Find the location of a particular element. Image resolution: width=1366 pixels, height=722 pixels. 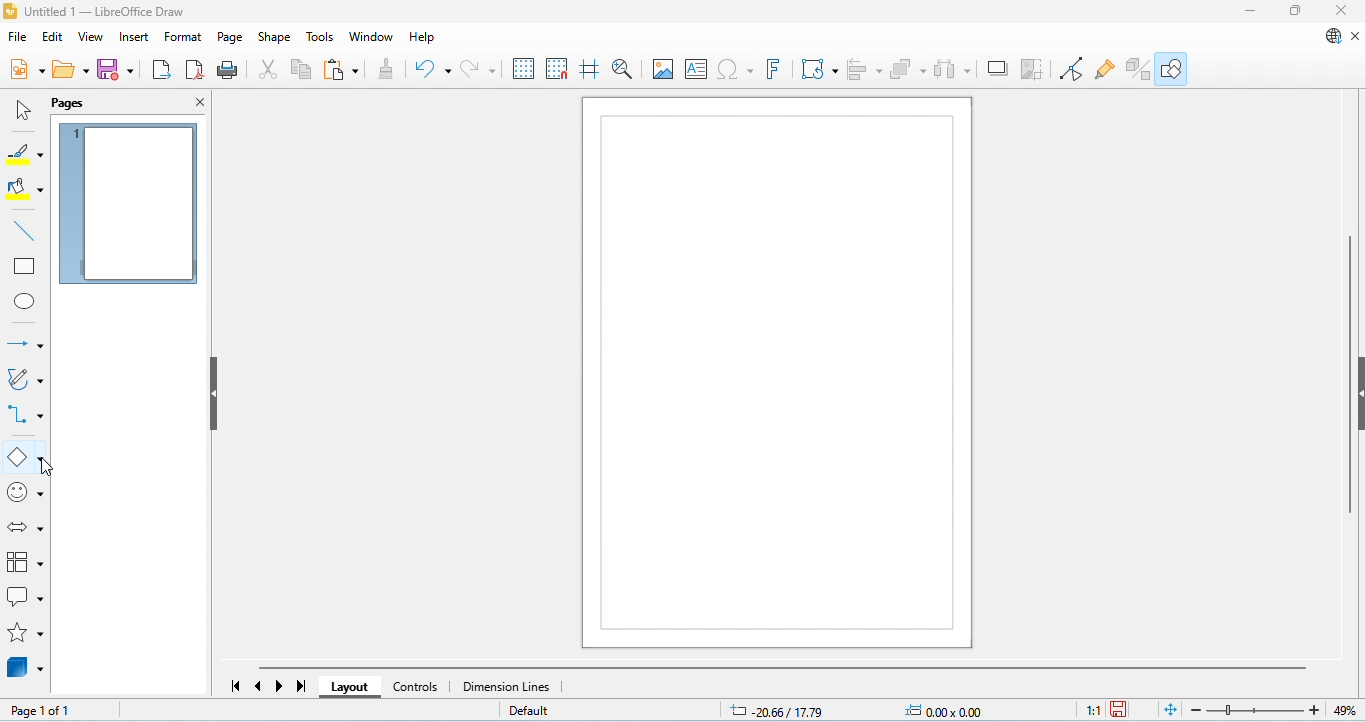

show draw functions is located at coordinates (1174, 68).